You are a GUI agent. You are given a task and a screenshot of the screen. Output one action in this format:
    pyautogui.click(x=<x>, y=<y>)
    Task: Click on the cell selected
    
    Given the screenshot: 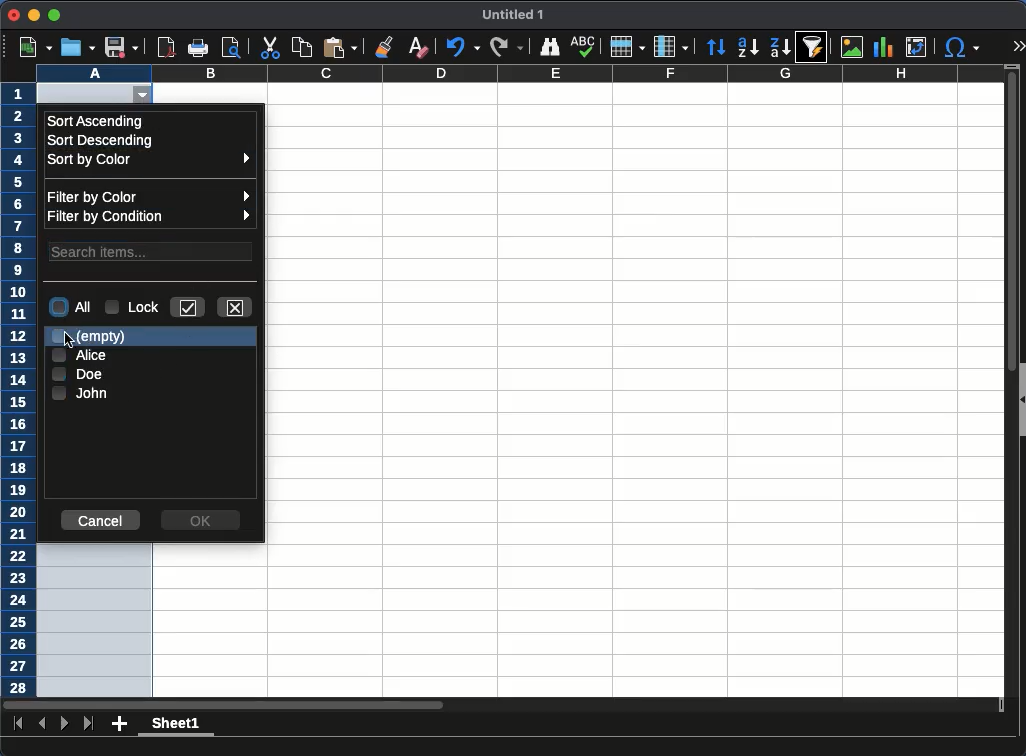 What is the action you would take?
    pyautogui.click(x=83, y=93)
    